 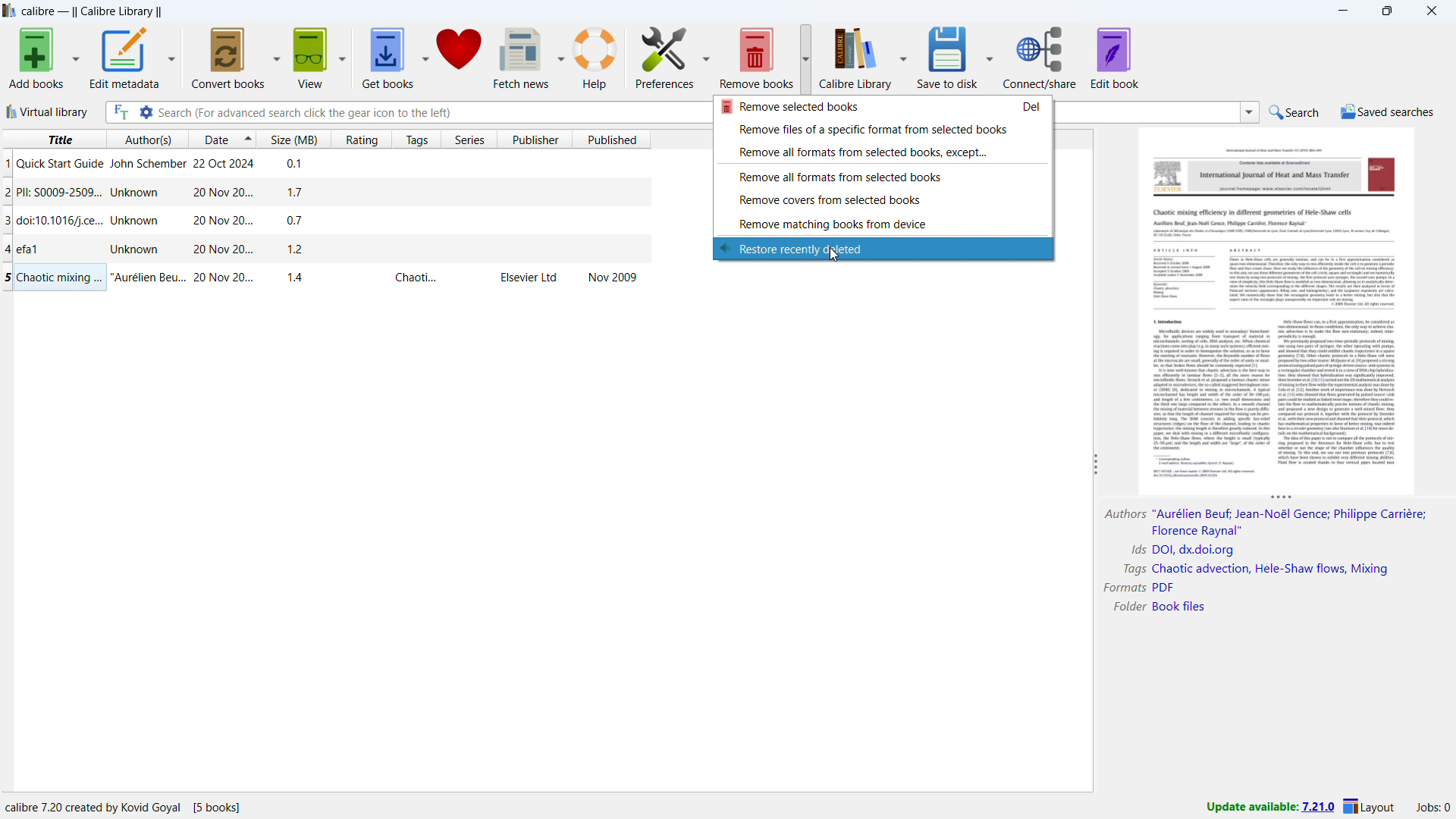 I want to click on help, so click(x=595, y=60).